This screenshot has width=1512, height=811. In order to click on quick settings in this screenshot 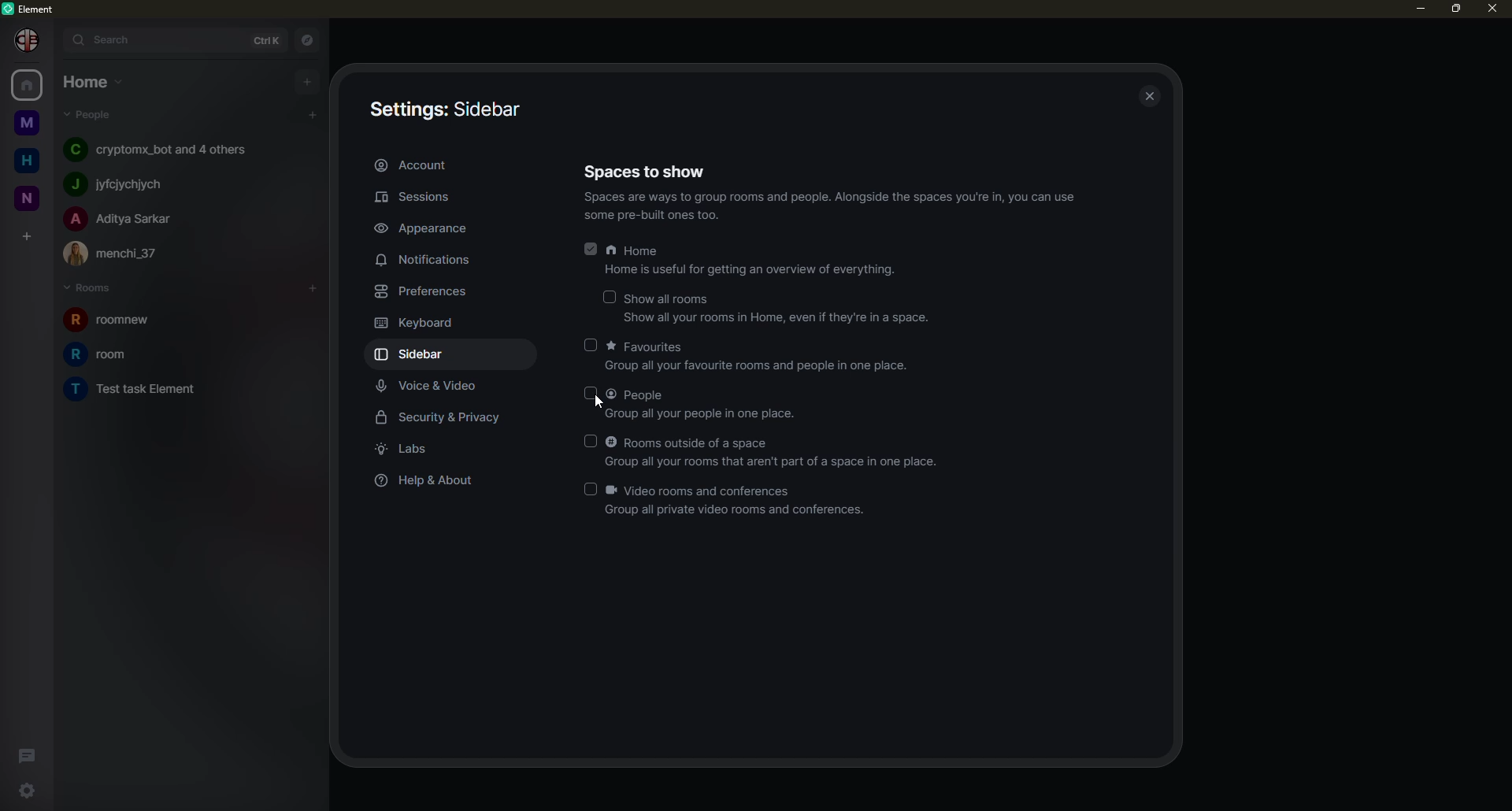, I will do `click(25, 791)`.